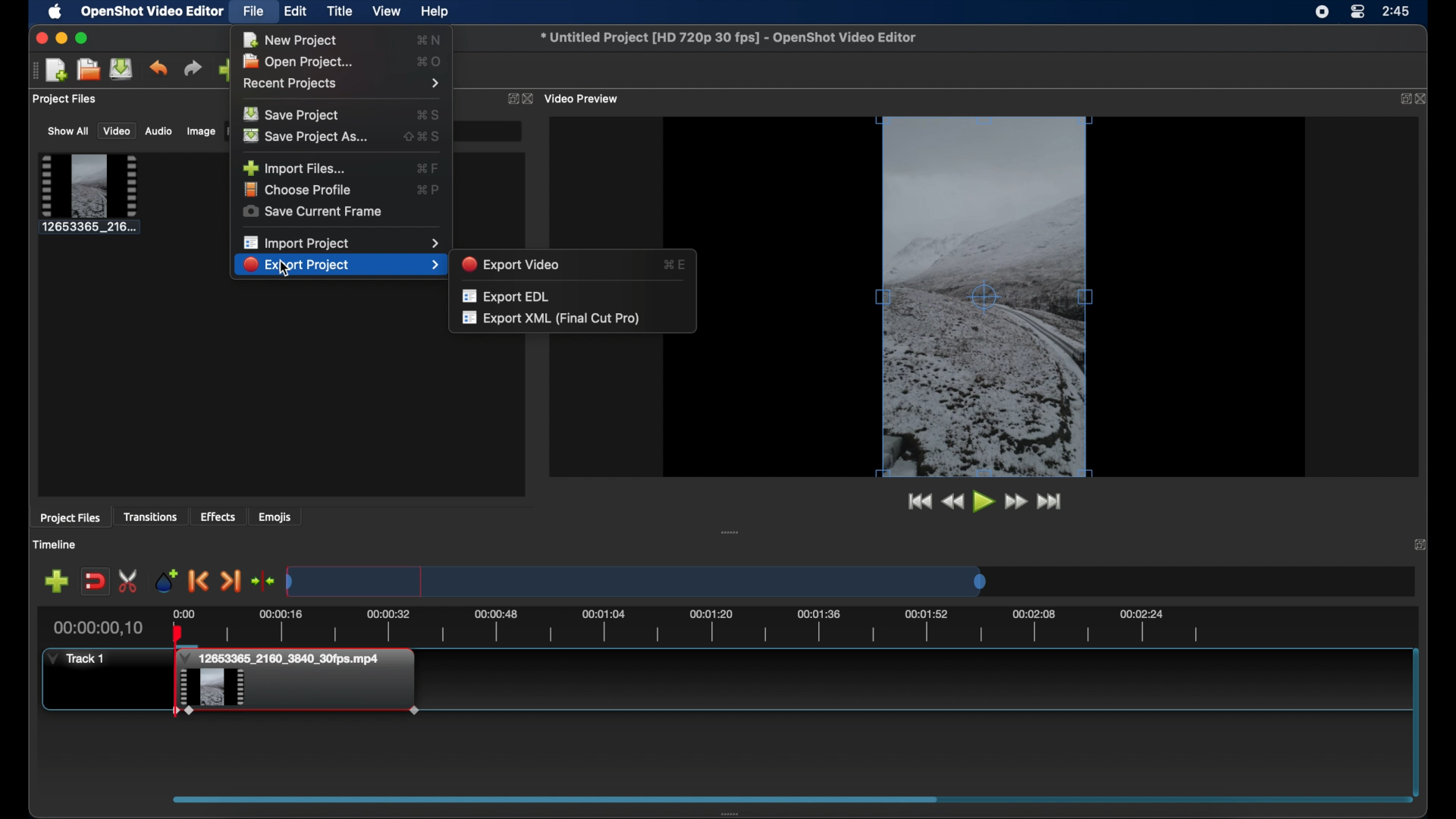 The image size is (1456, 819). What do you see at coordinates (102, 626) in the screenshot?
I see `current time indicator` at bounding box center [102, 626].